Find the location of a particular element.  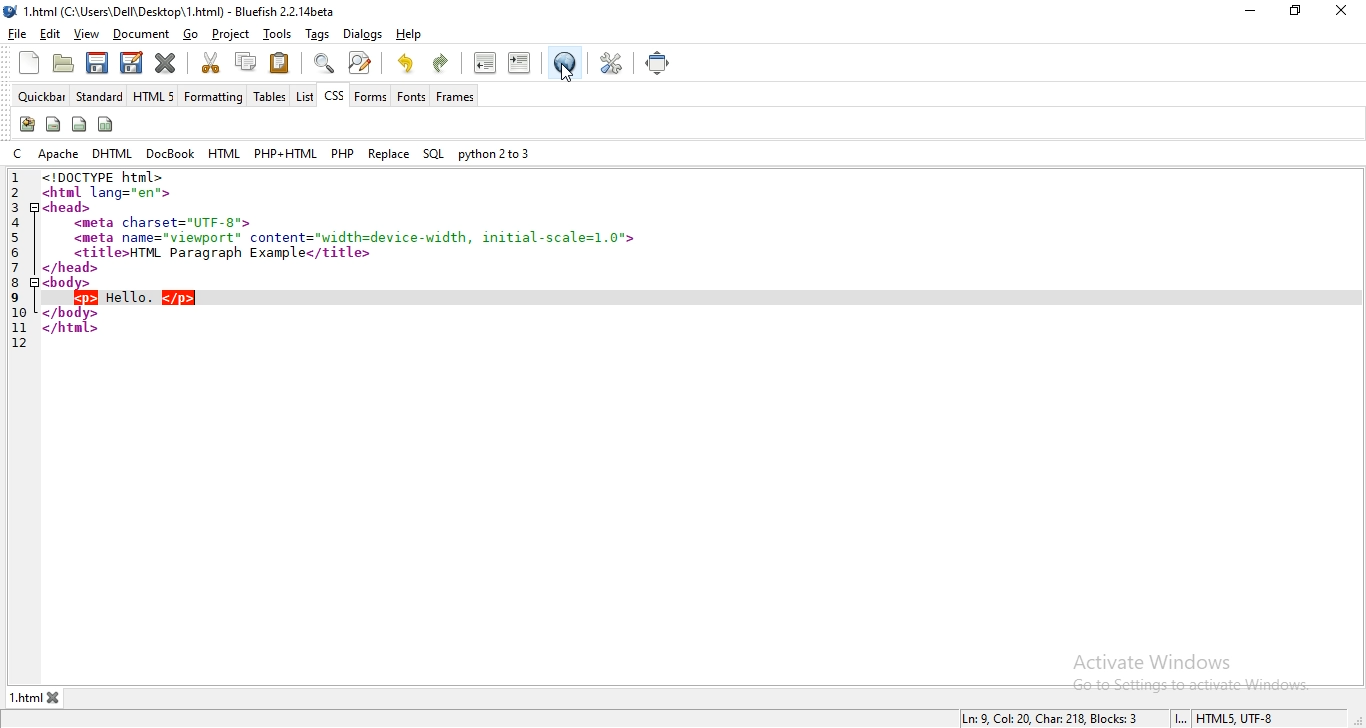

edit preferences is located at coordinates (608, 63).